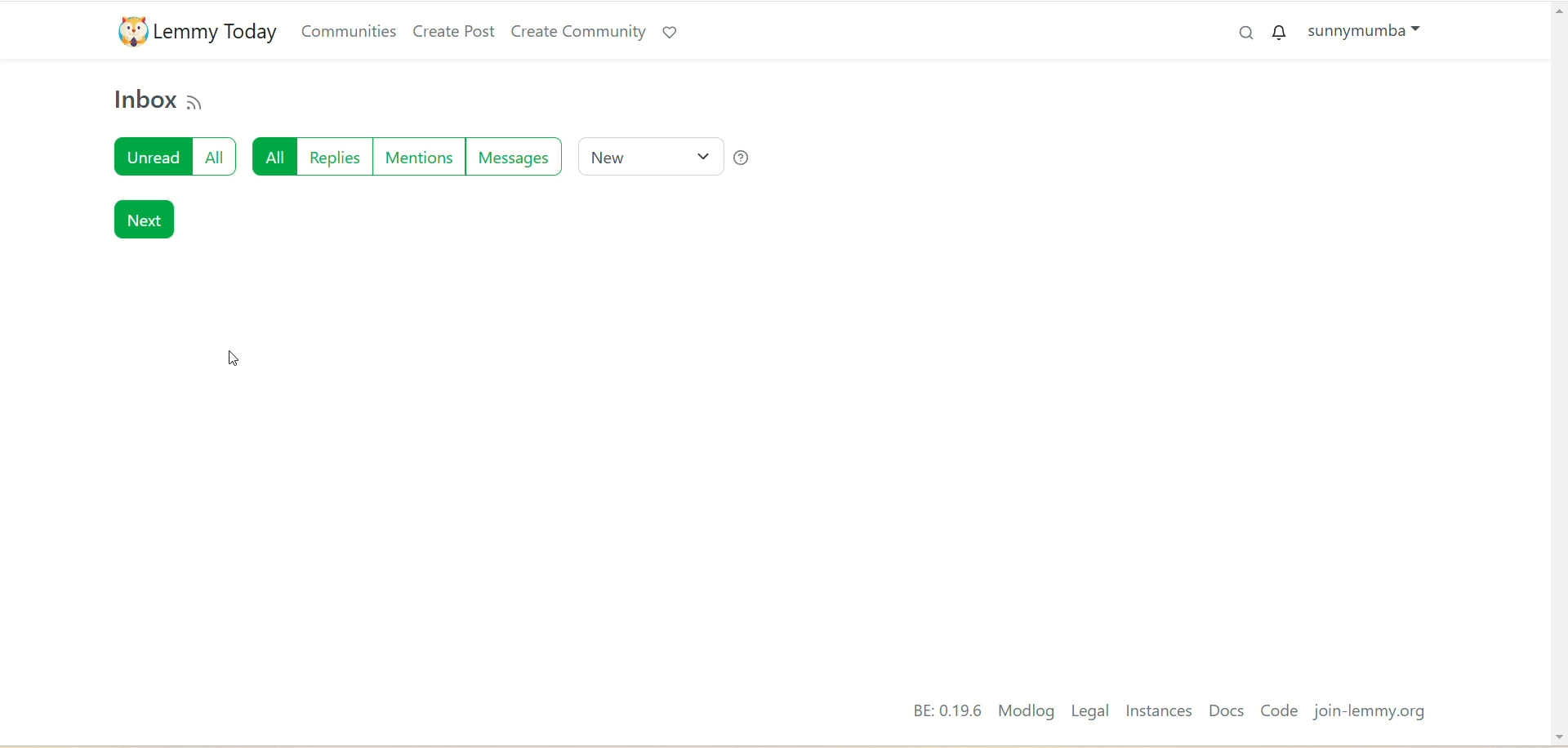 Image resolution: width=1568 pixels, height=748 pixels. What do you see at coordinates (453, 32) in the screenshot?
I see `create post` at bounding box center [453, 32].